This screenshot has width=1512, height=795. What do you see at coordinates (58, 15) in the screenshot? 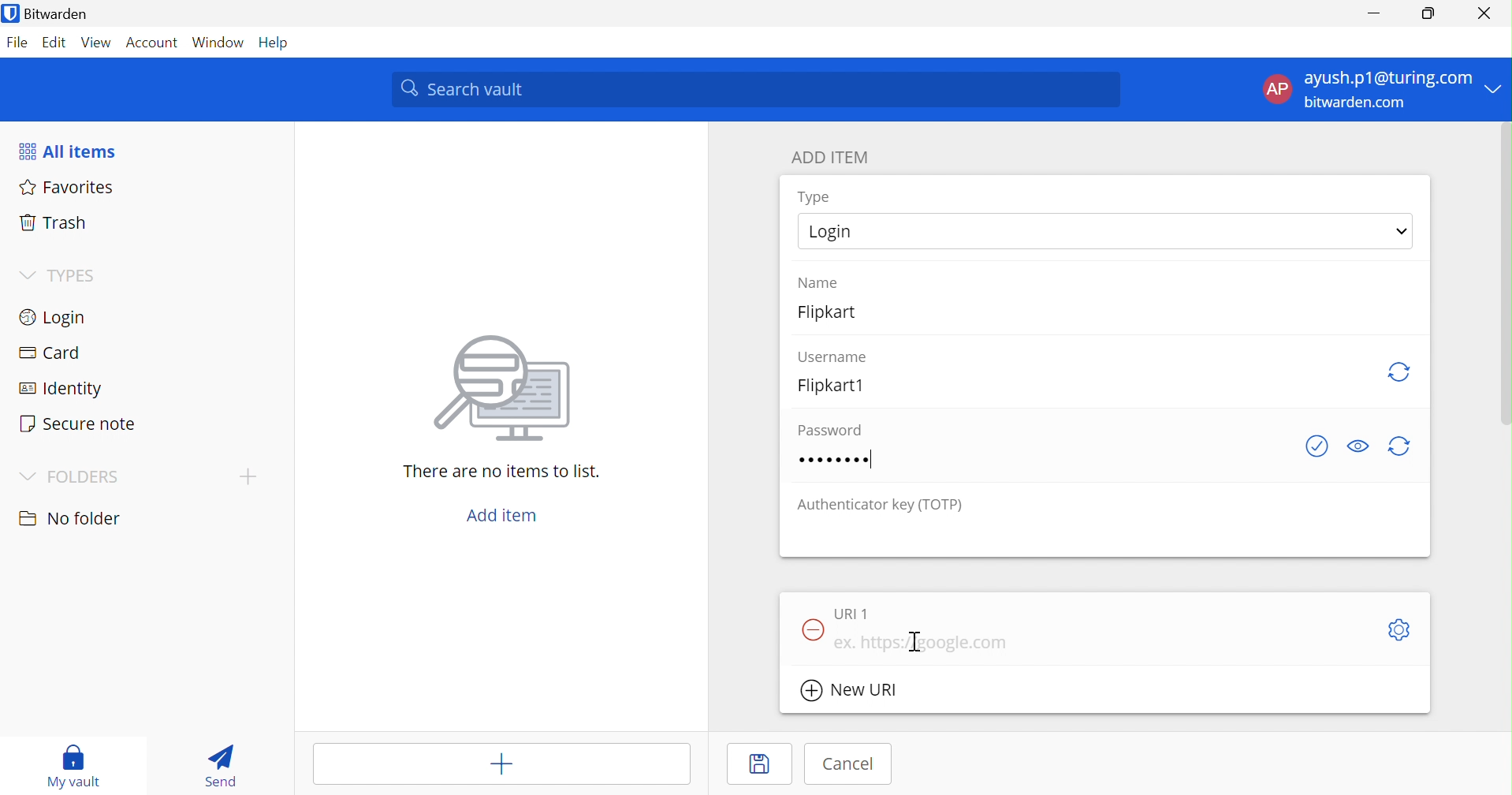
I see `Bitwarden` at bounding box center [58, 15].